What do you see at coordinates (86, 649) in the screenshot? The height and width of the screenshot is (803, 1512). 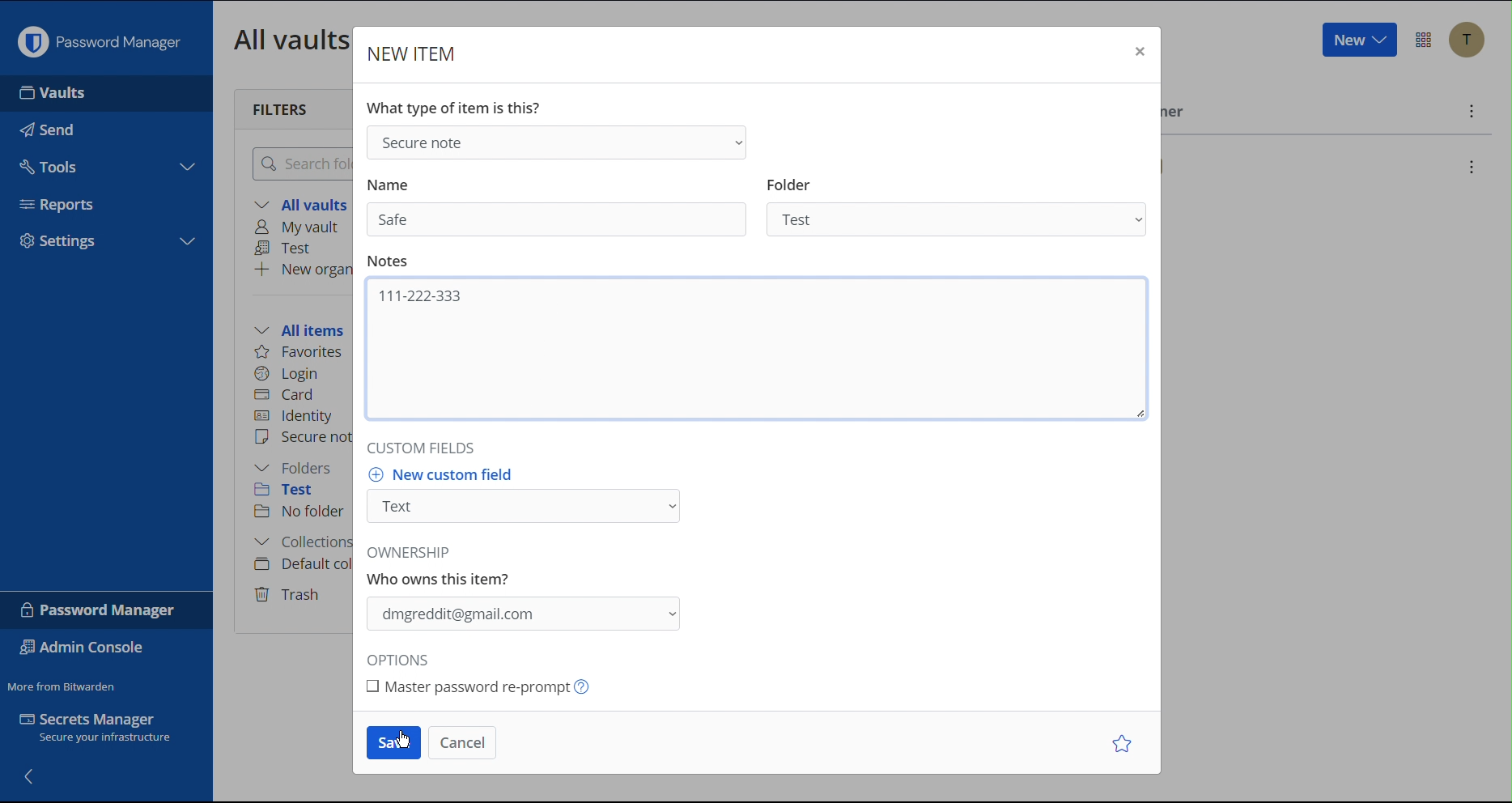 I see `Admin Console` at bounding box center [86, 649].